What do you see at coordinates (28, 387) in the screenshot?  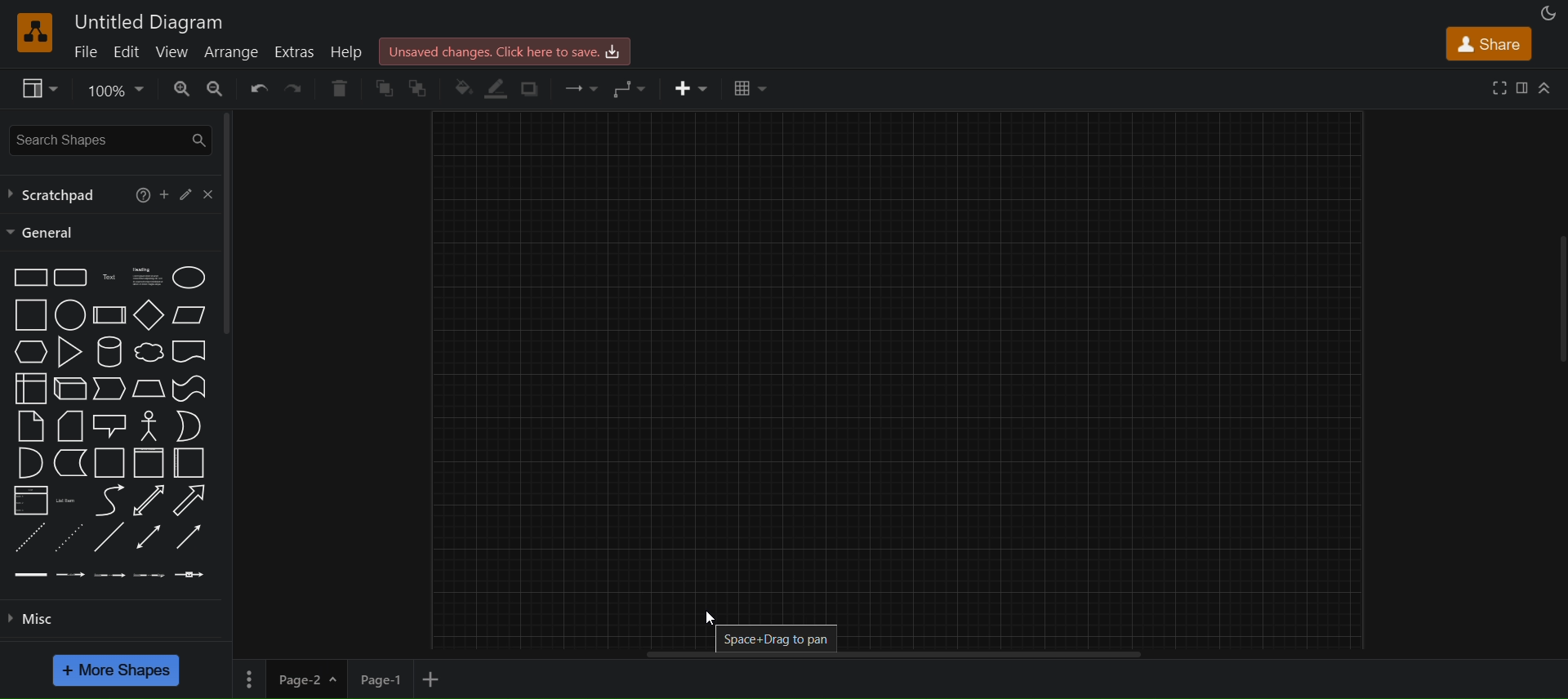 I see `internal storage` at bounding box center [28, 387].